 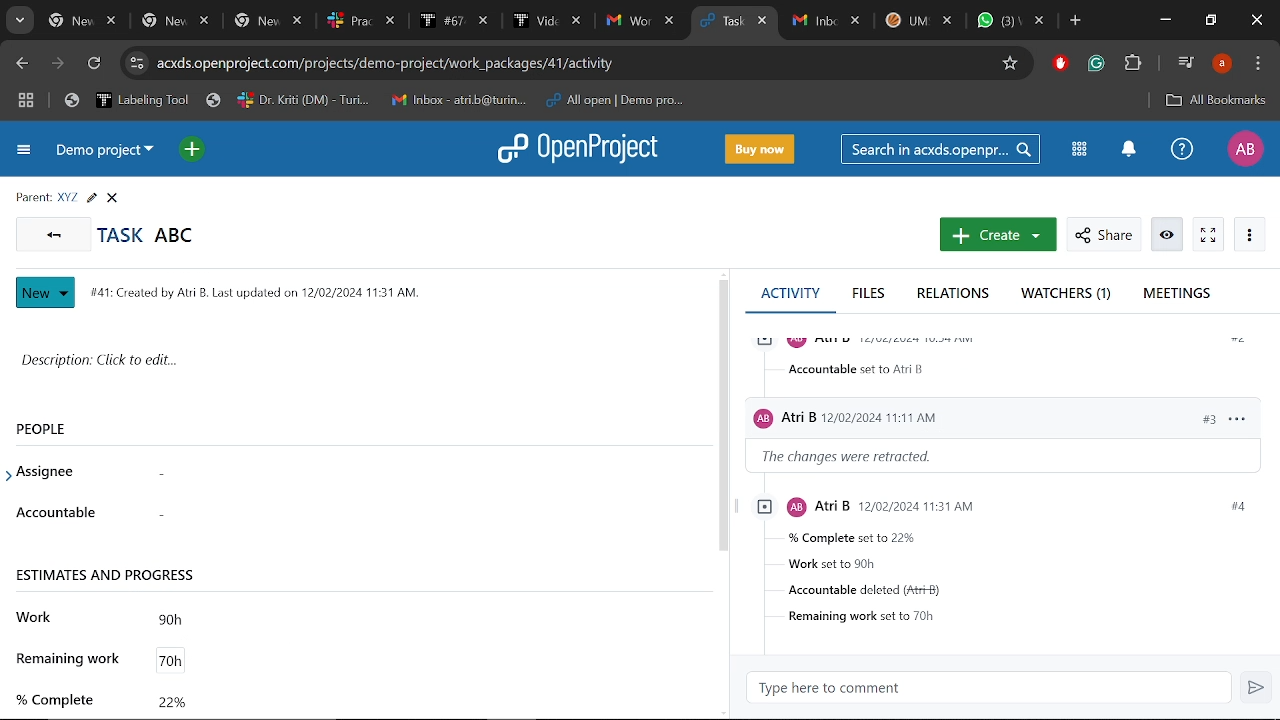 What do you see at coordinates (1182, 151) in the screenshot?
I see `Help` at bounding box center [1182, 151].